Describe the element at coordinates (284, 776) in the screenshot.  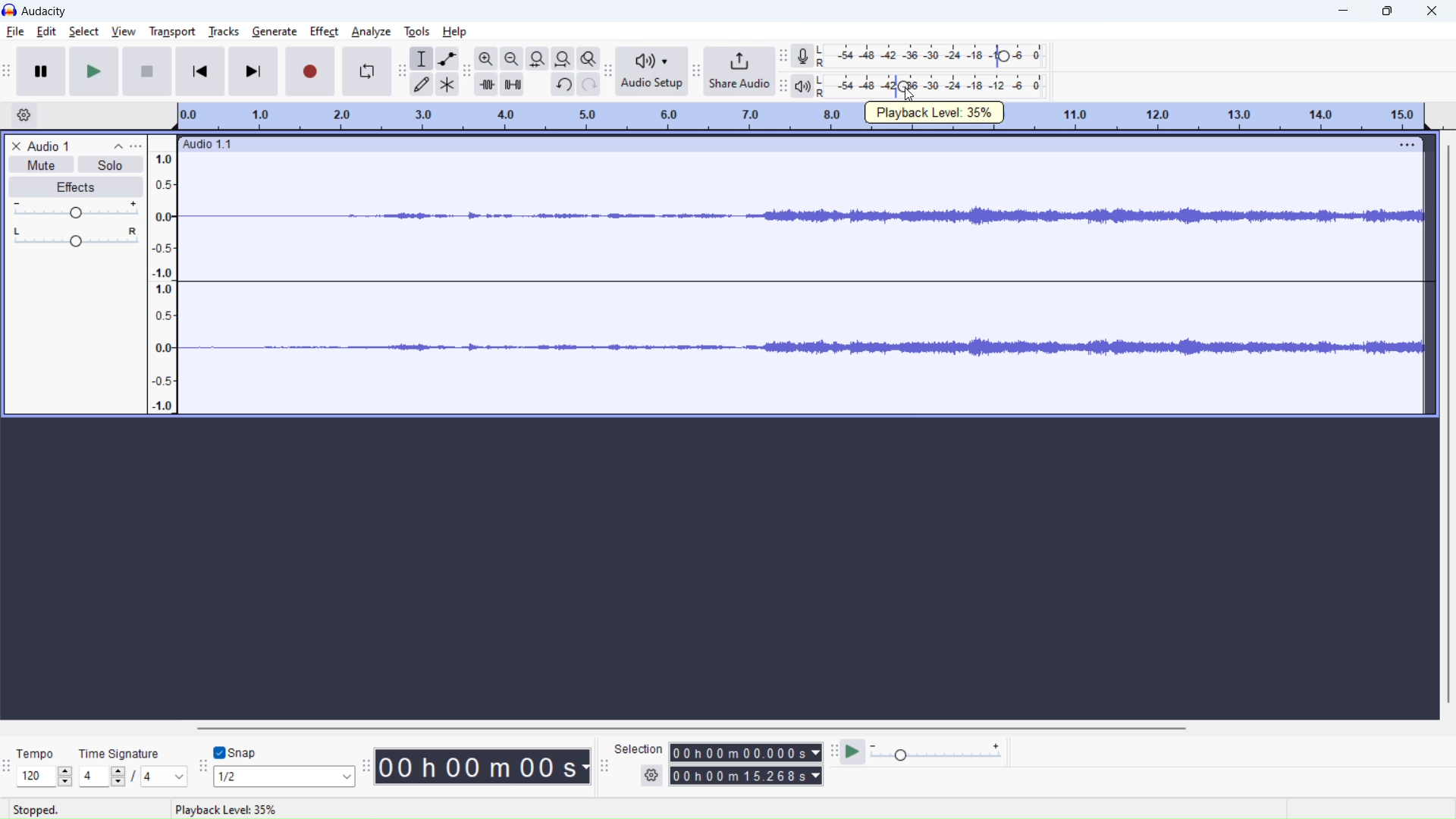
I see `select snap` at that location.